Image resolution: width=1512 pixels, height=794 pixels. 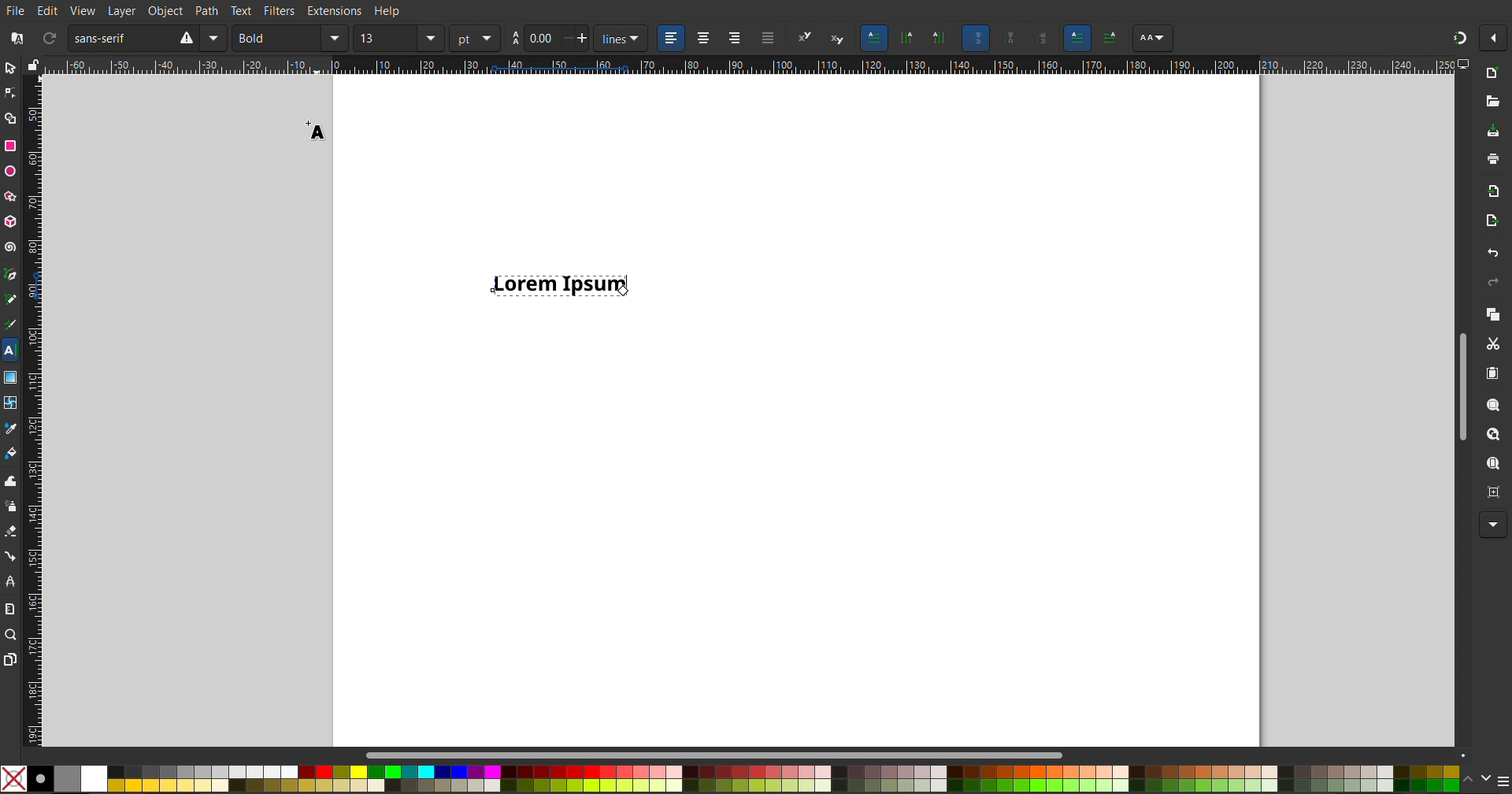 I want to click on Open Export, so click(x=1492, y=223).